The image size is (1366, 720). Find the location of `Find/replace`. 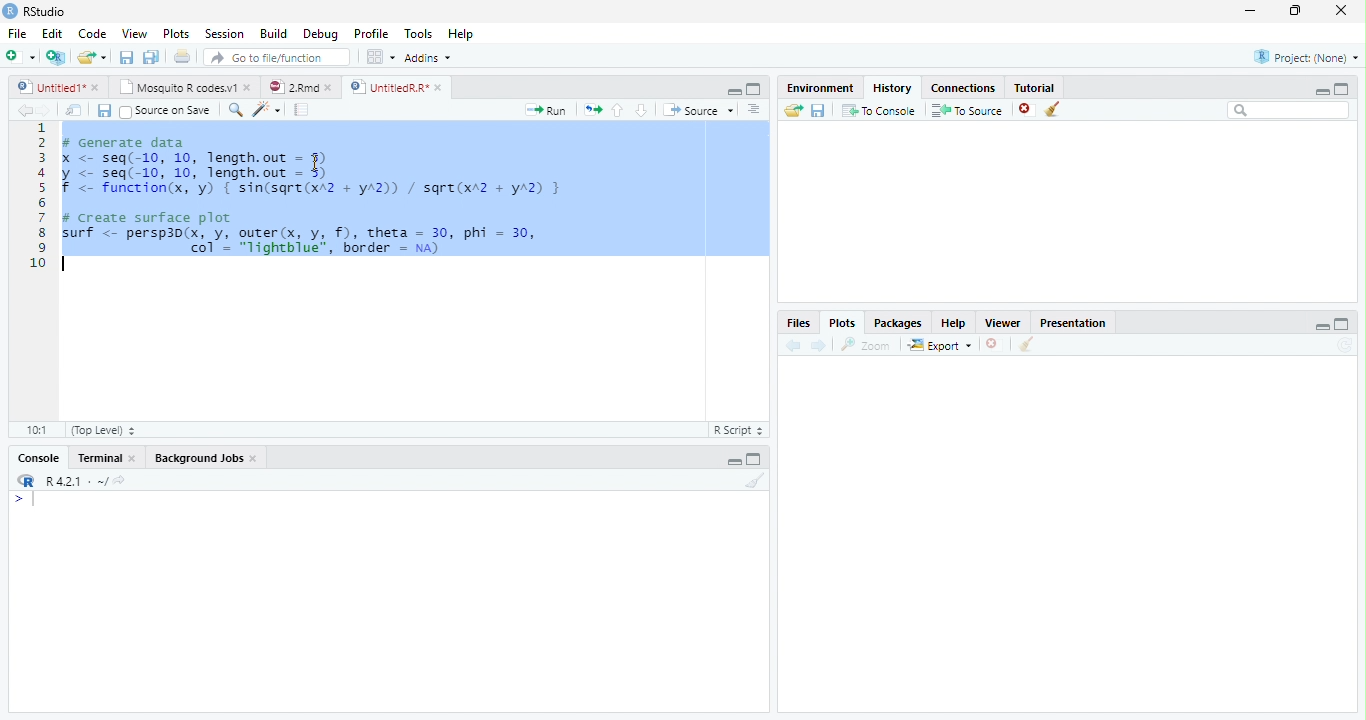

Find/replace is located at coordinates (234, 110).